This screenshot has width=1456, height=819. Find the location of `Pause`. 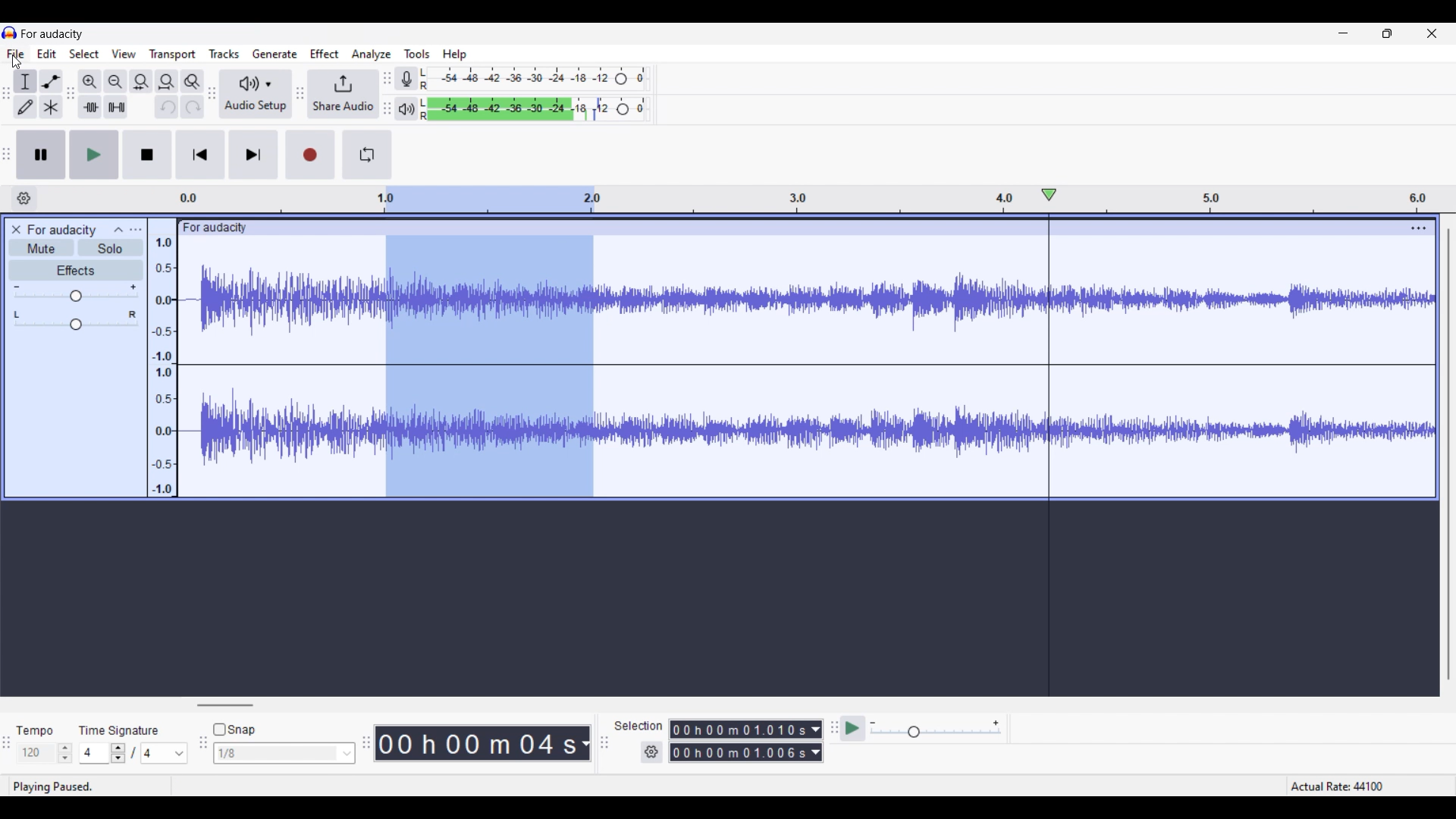

Pause is located at coordinates (41, 155).